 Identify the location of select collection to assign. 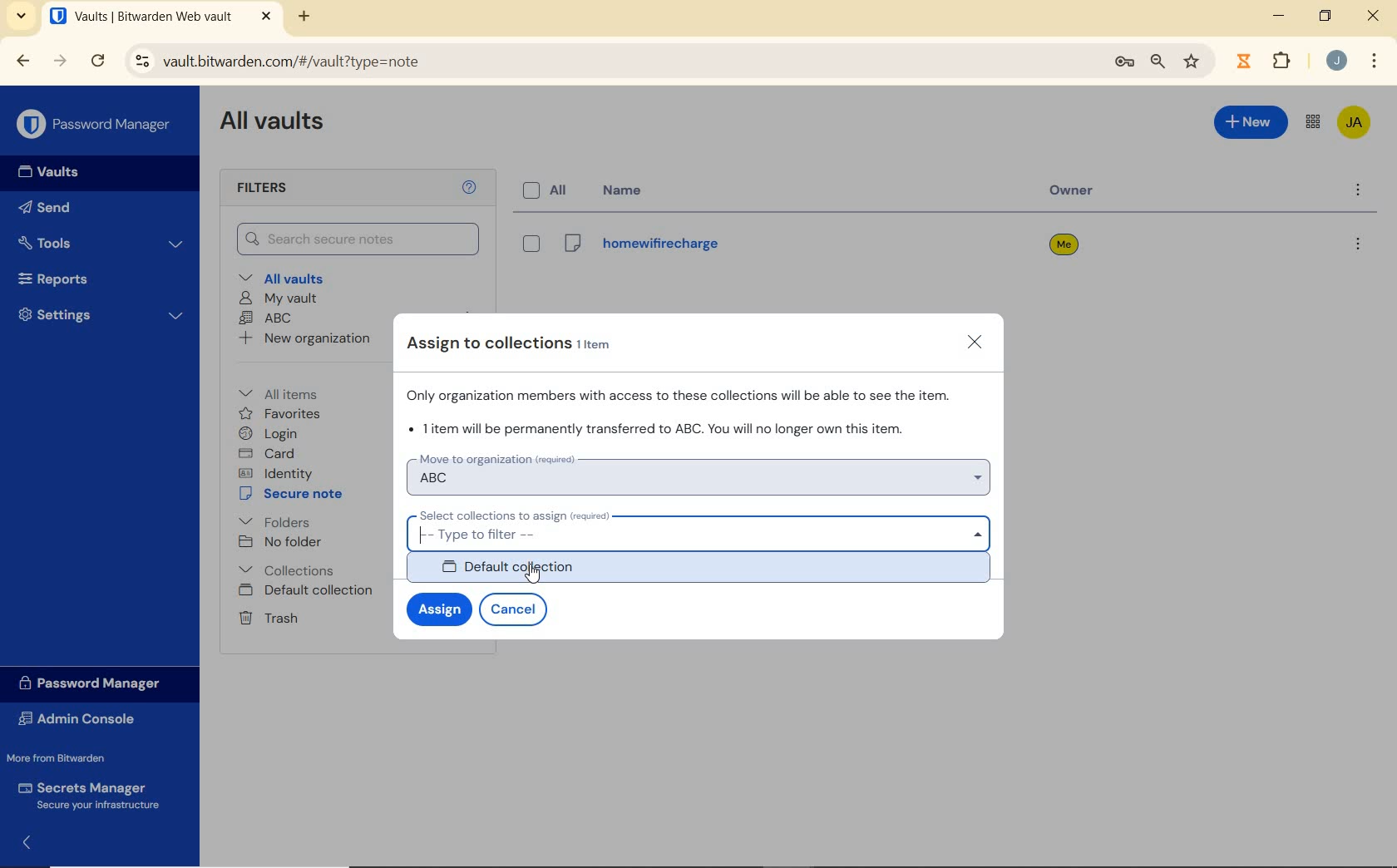
(701, 528).